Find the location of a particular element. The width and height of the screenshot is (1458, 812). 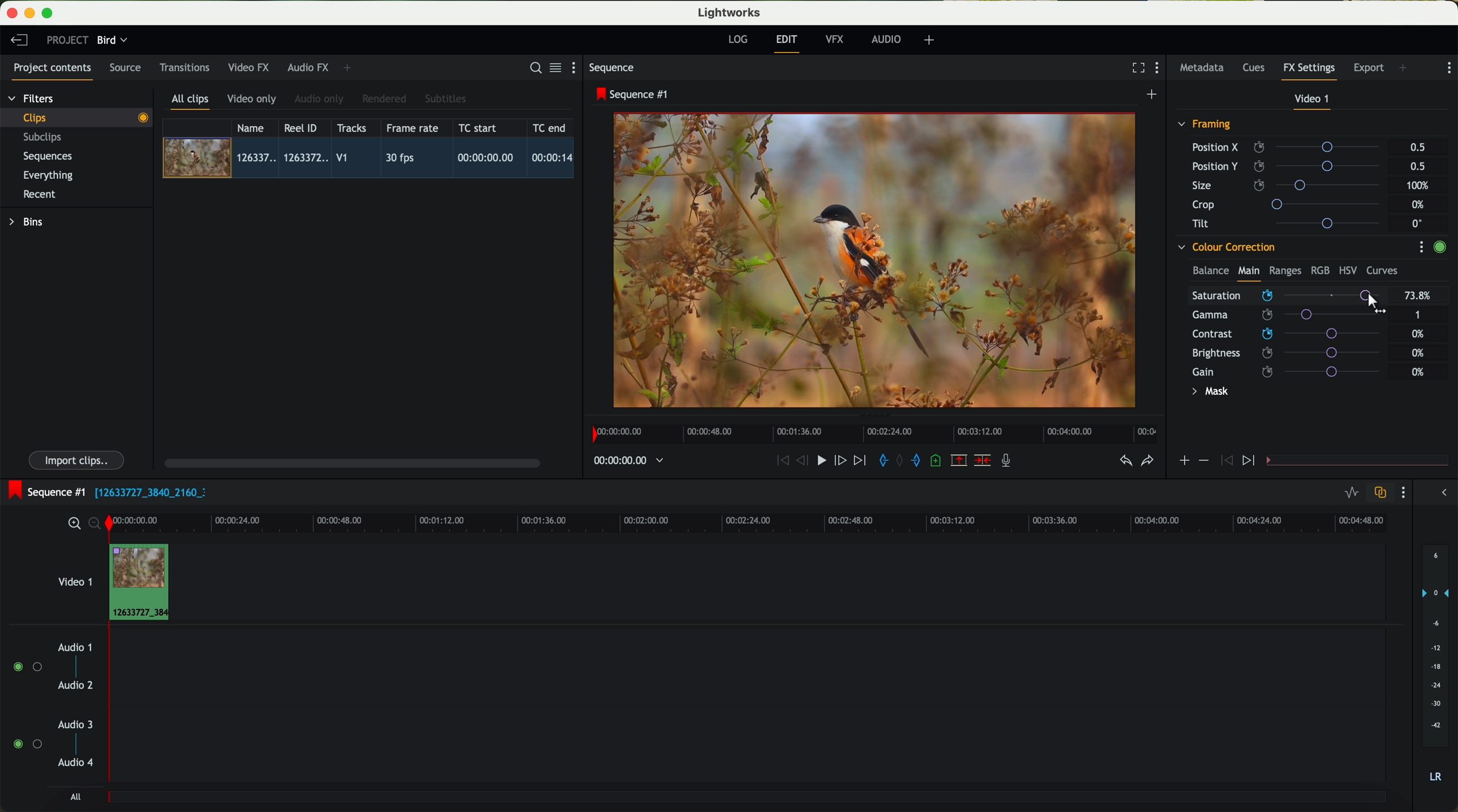

export is located at coordinates (1369, 69).